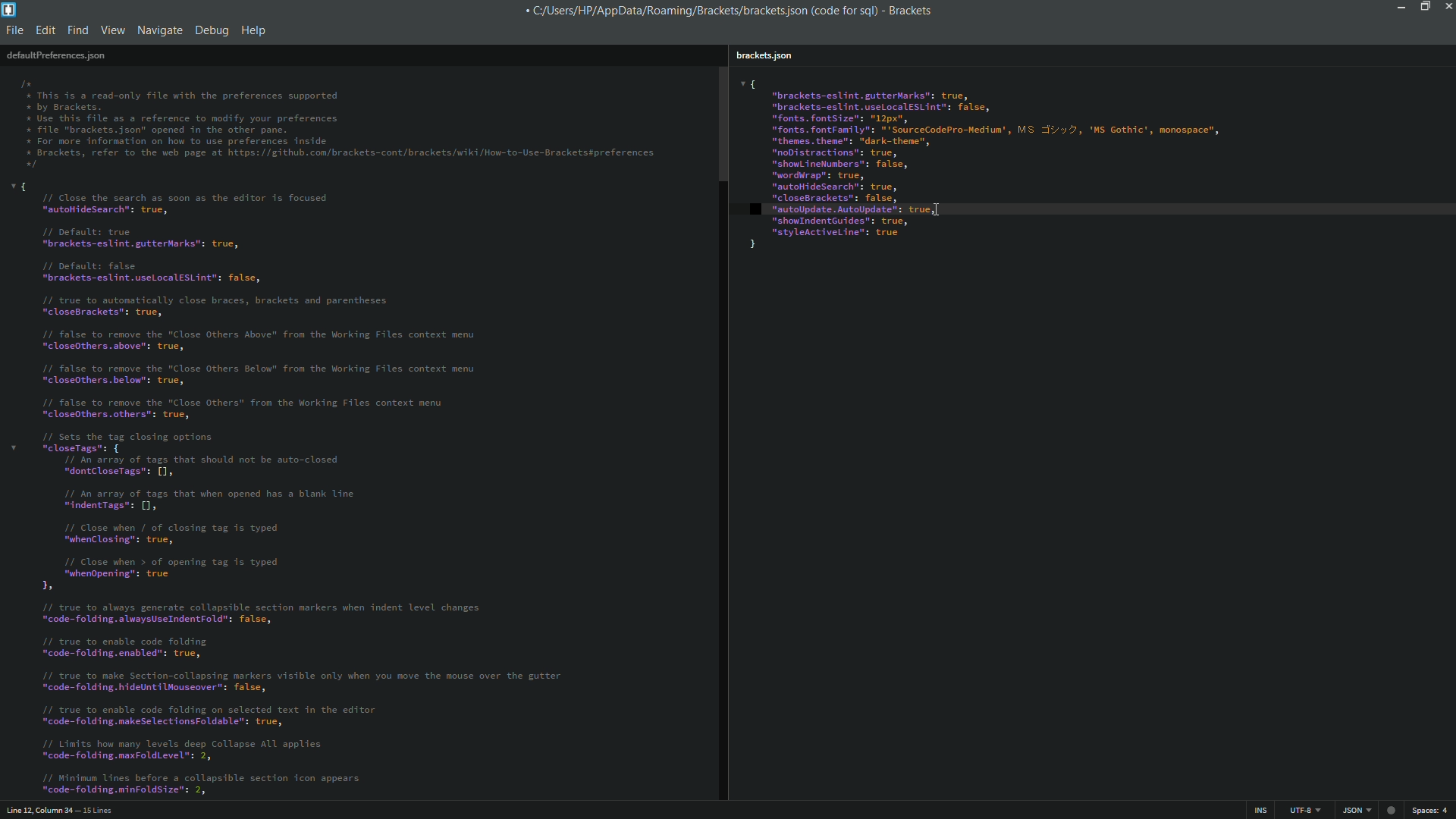  Describe the element at coordinates (340, 489) in the screenshot. I see `v{
// Close the search as soon as the editor is focused
“autoHidesearch": true,
// Default: true
“brackets-eslint.gutterMarks": true,
// Default: false
"brackets-eslint.useLocalesLint": false,
// true to automatically close braces, brackets and parentheses
"closeBrackets": true,
// false to remove the "Close Others Above" from the Working Files context menu
"closeothers.above": true,
// false to remove the "Close Others Below" from the Working Files context menu
"closeothers.below": true,
// false to remove the "Close Others" from the Working Files context menu
"closeOthers. others": true,
/1 sets the tag closing options
* “closeTags": {
// An array of tags that should not be auto-closed
"dontCloseTags": [1,
// An array of tags that when opened has a blank line
"indentTags": [1,
// Close when / of closing tag is typed
"whenClosing": true,
// Close when > of opening tag is typed
"whenOpening": true
by
// true to always generate collapsible section markers when indent level changes
"code-folding.alwaysUseIndentFold": false,
// true to enable code folding
"code-folding.enabled": true,
// true to make Section-collapsing markers visible only when you move the mouse over the gutter
"code-folding.hideuntilMouseover®: false,
// true to enable code folding on selected text in the editor
"code-folding.makeselectionsFoldable": true,
// Limits how many levels deep Collapse ALL applies
"code-folding.maxFoldLevel™: 2,
// Minimum Lines before a collapsible section icon appears
“code-folding.minFoldsize": 2,` at that location.